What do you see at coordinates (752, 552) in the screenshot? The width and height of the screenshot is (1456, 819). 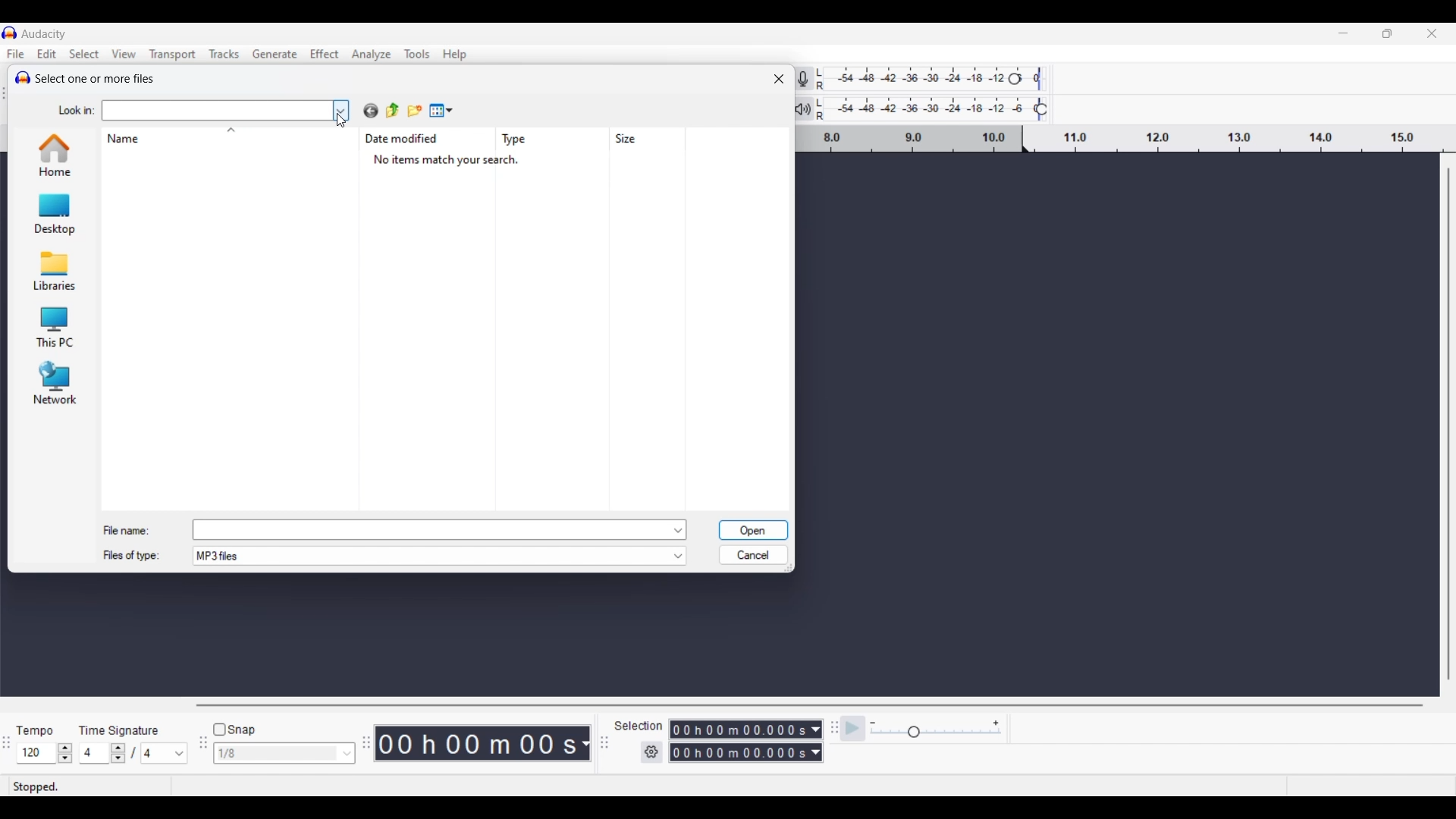 I see `Click to cancel inputs` at bounding box center [752, 552].